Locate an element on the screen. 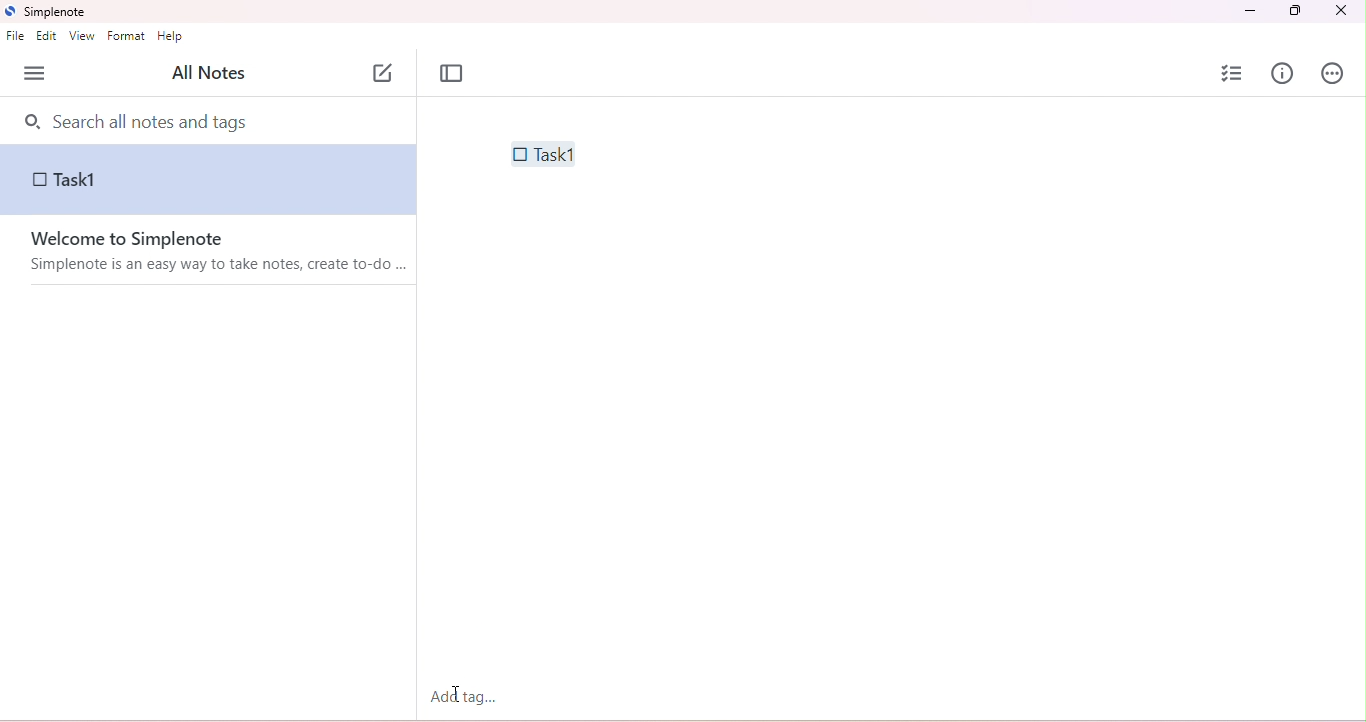 This screenshot has width=1366, height=722. note is located at coordinates (209, 180).